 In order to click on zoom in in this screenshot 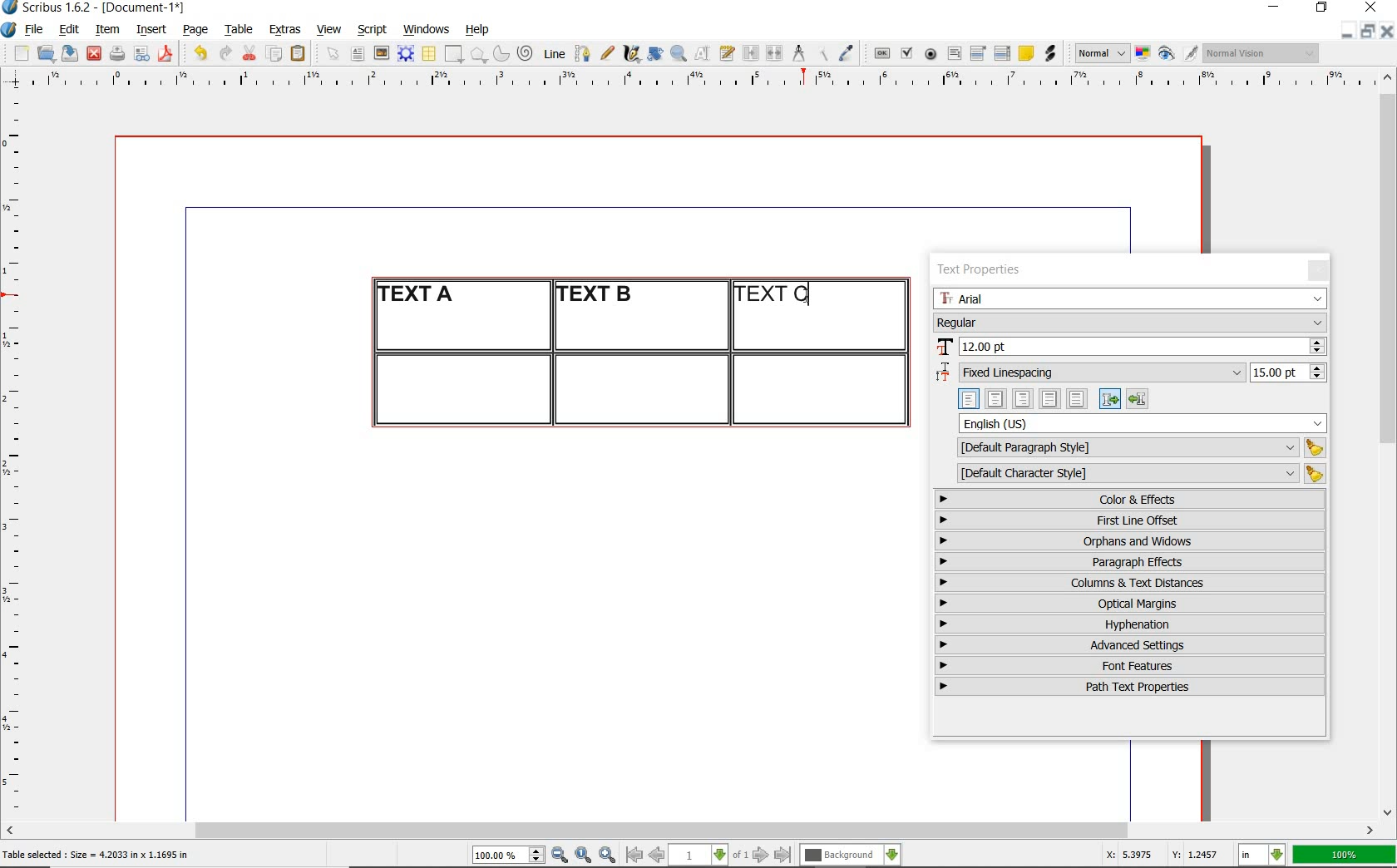, I will do `click(608, 856)`.